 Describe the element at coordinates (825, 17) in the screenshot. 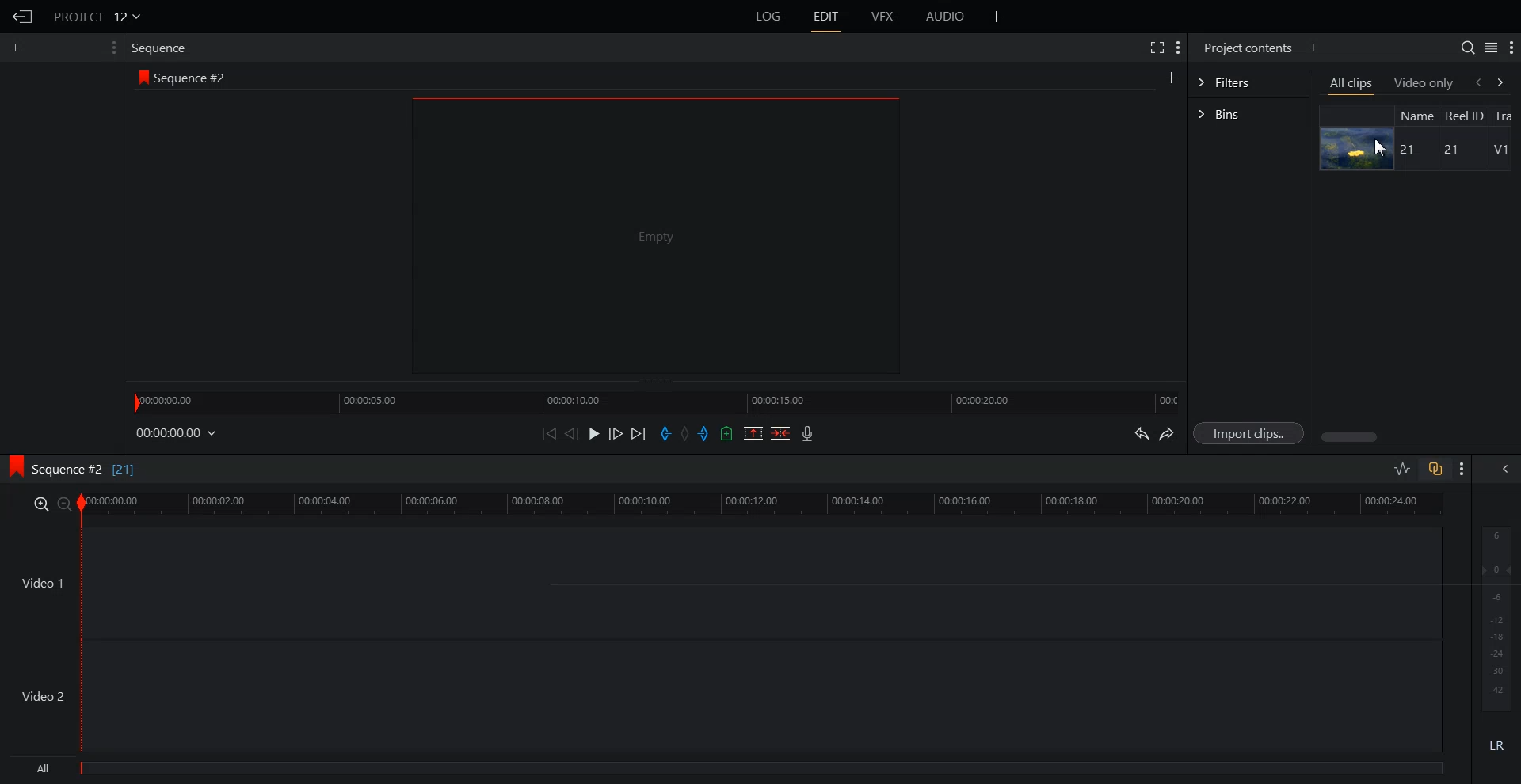

I see `EDIT` at that location.